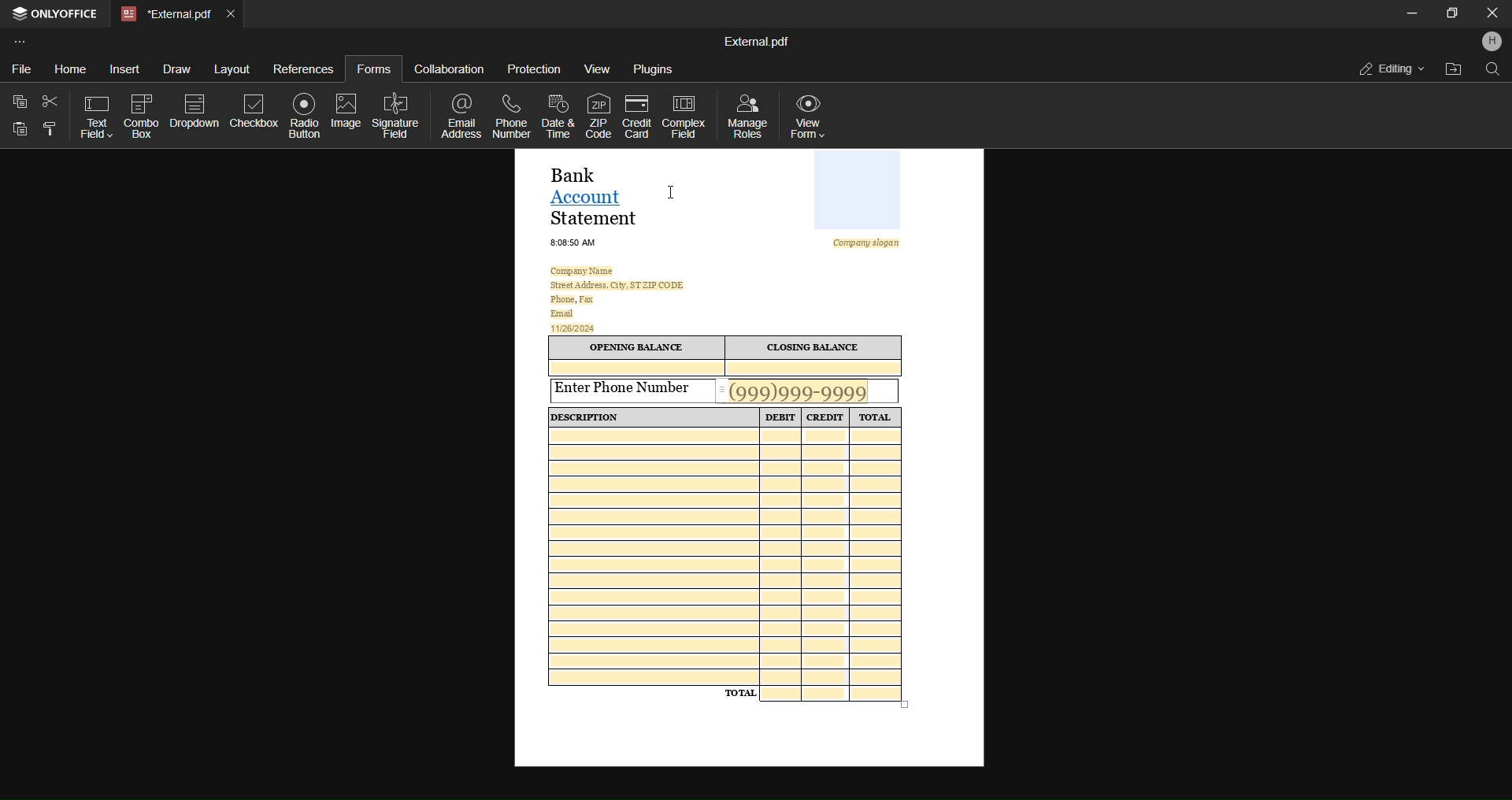 The width and height of the screenshot is (1512, 800). I want to click on find, so click(1492, 70).